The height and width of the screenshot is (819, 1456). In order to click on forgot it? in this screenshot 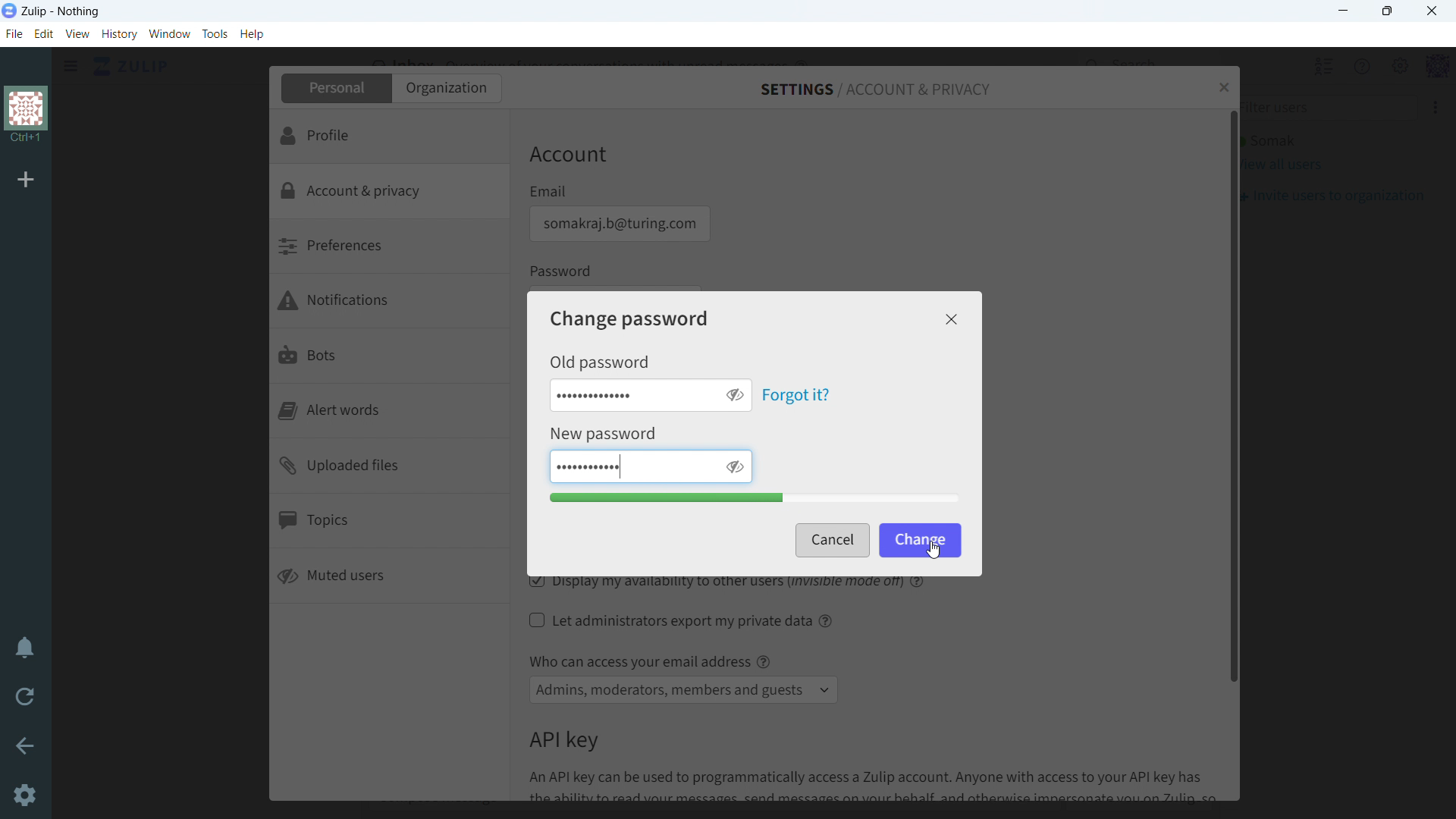, I will do `click(796, 395)`.